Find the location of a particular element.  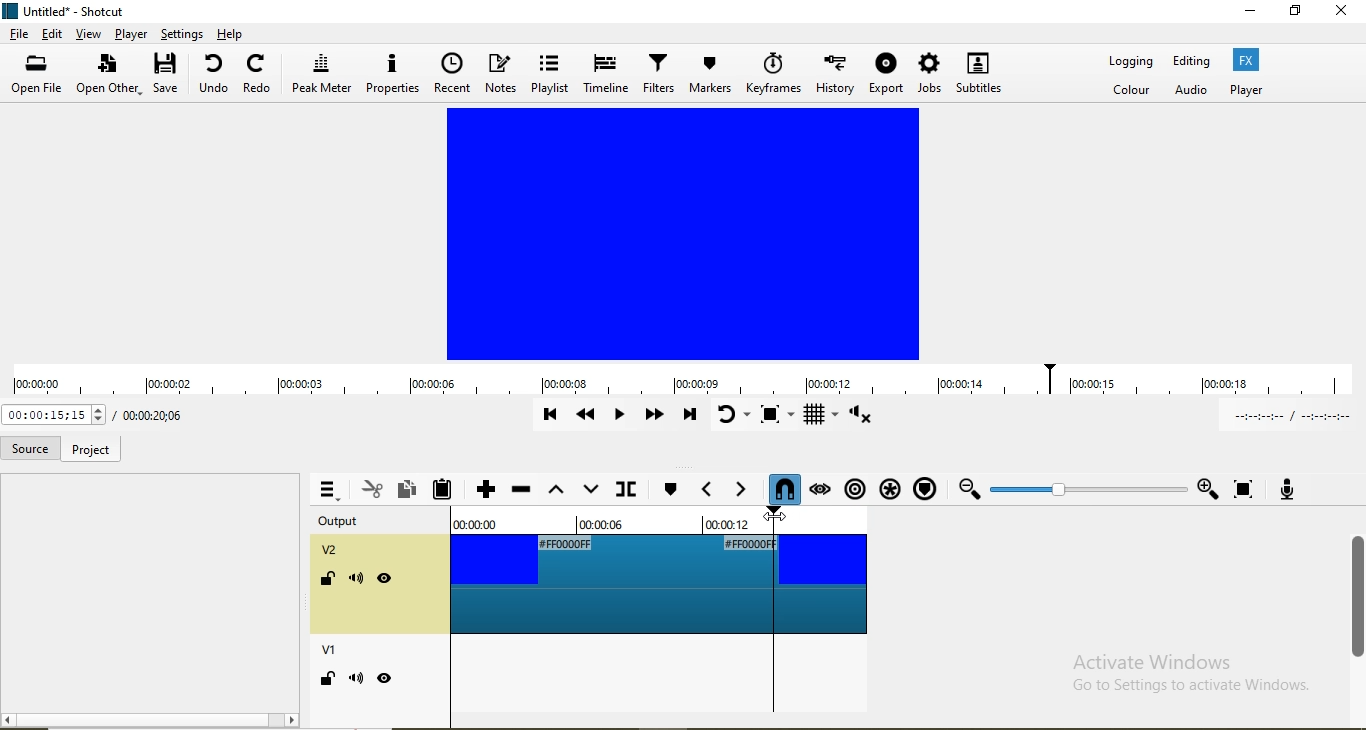

Fx is located at coordinates (1248, 59).